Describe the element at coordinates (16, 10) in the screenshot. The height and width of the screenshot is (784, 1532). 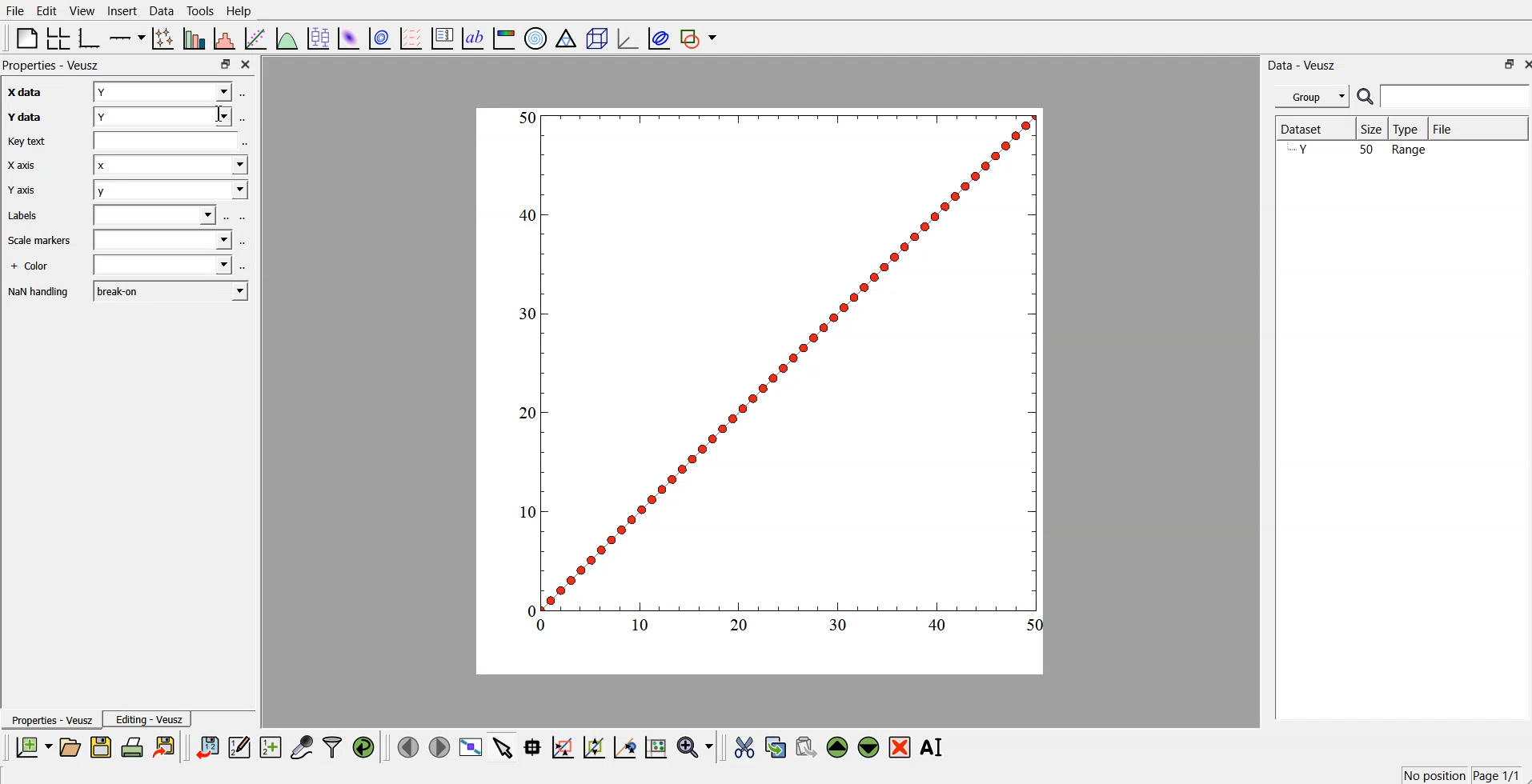
I see `File` at that location.